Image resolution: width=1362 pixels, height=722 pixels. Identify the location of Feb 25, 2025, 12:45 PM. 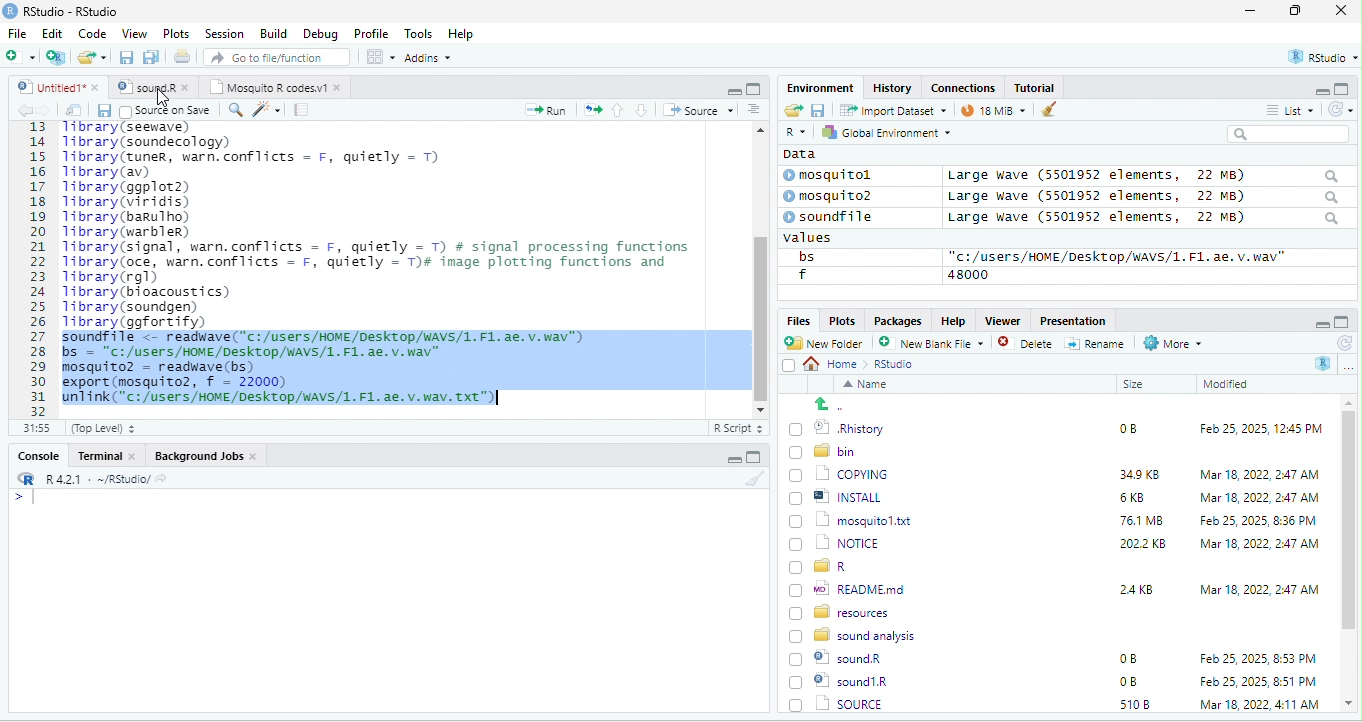
(1261, 431).